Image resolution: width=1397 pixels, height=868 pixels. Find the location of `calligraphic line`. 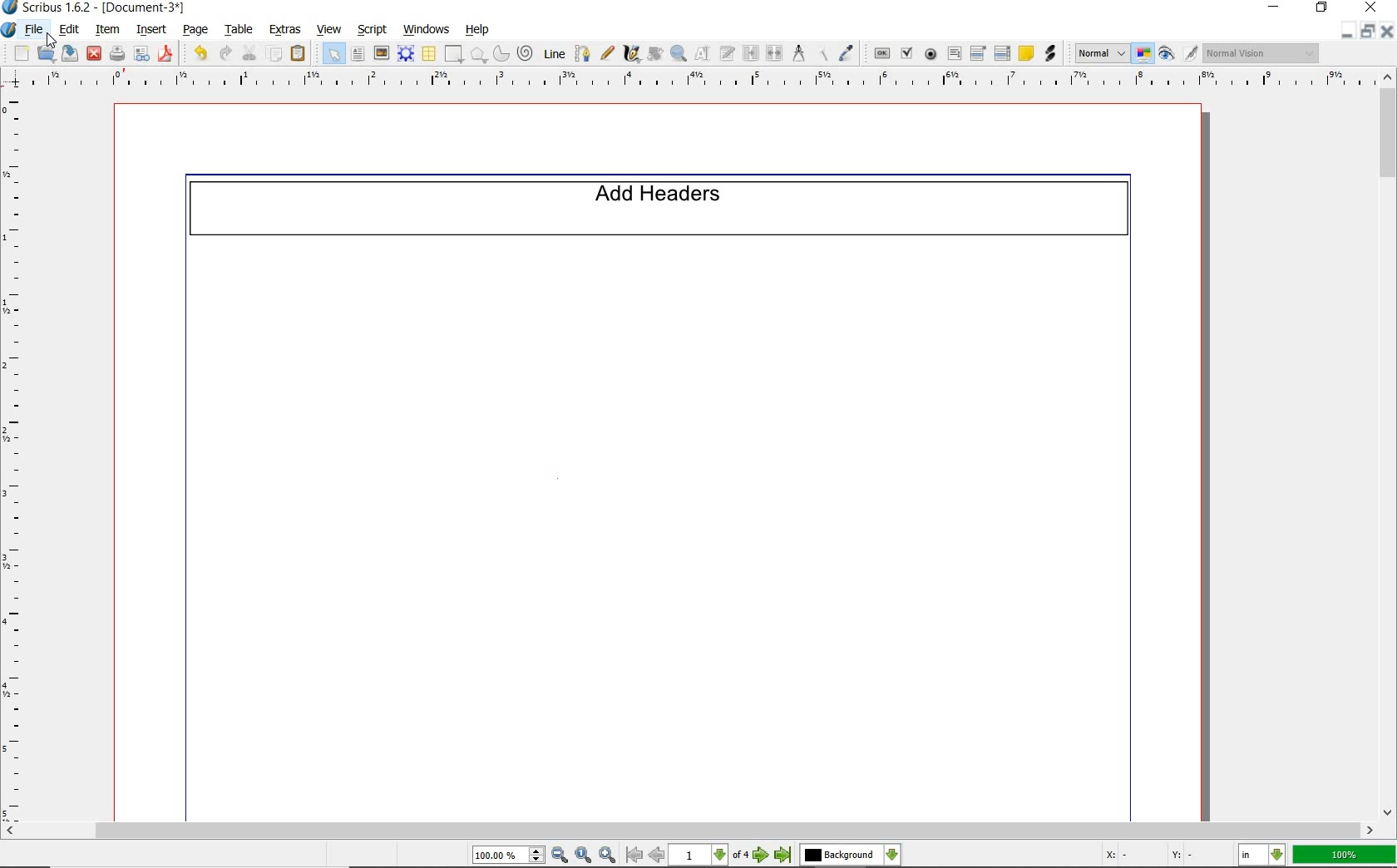

calligraphic line is located at coordinates (634, 54).